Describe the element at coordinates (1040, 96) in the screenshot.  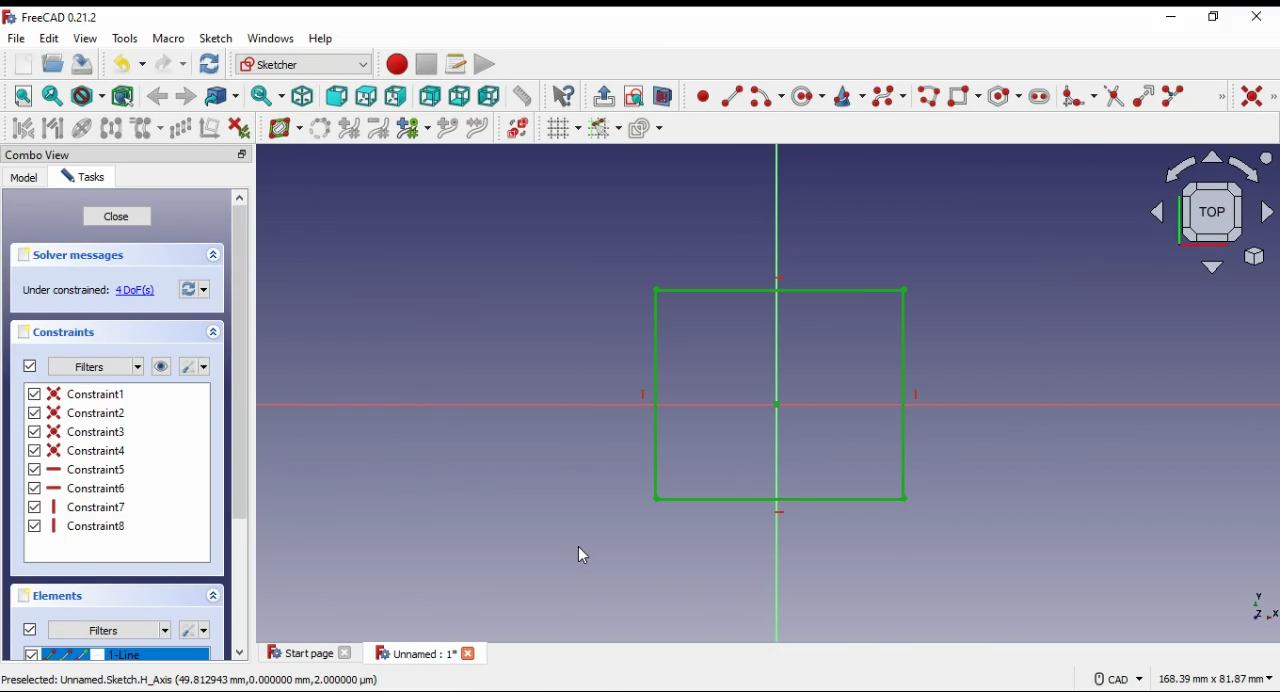
I see `create slot` at that location.